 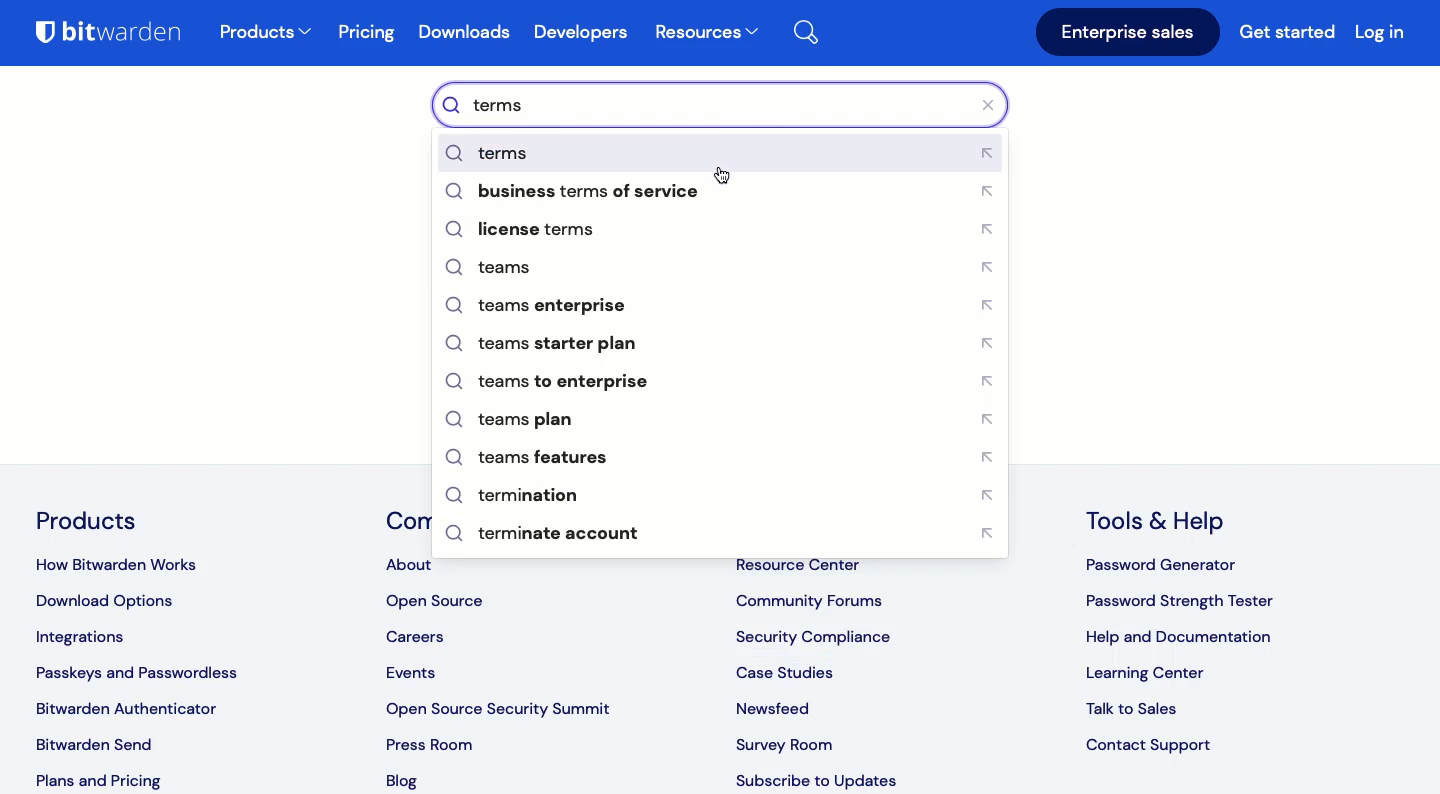 I want to click on integrations, so click(x=92, y=640).